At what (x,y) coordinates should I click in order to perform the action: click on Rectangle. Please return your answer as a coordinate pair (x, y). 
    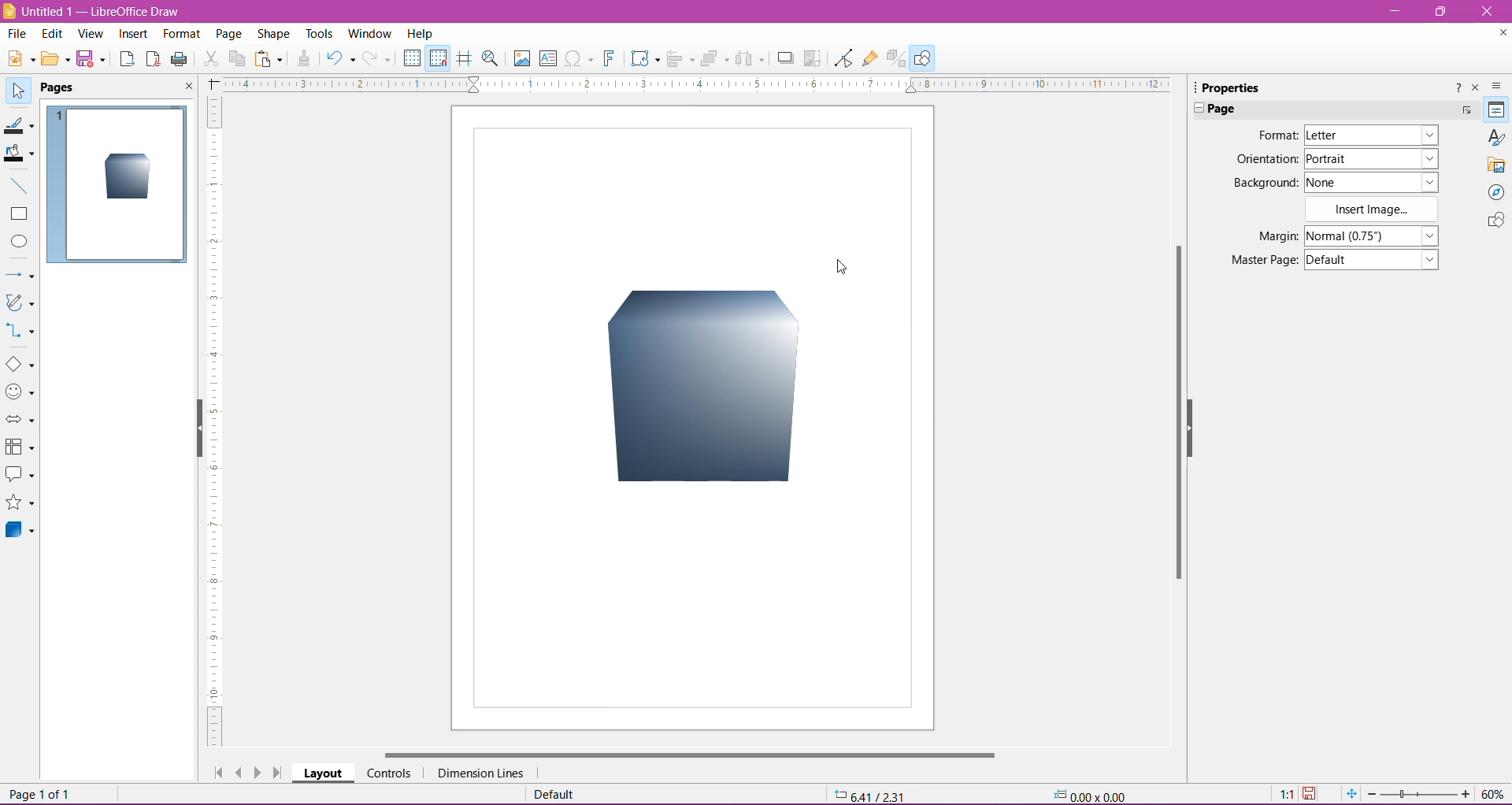
    Looking at the image, I should click on (19, 214).